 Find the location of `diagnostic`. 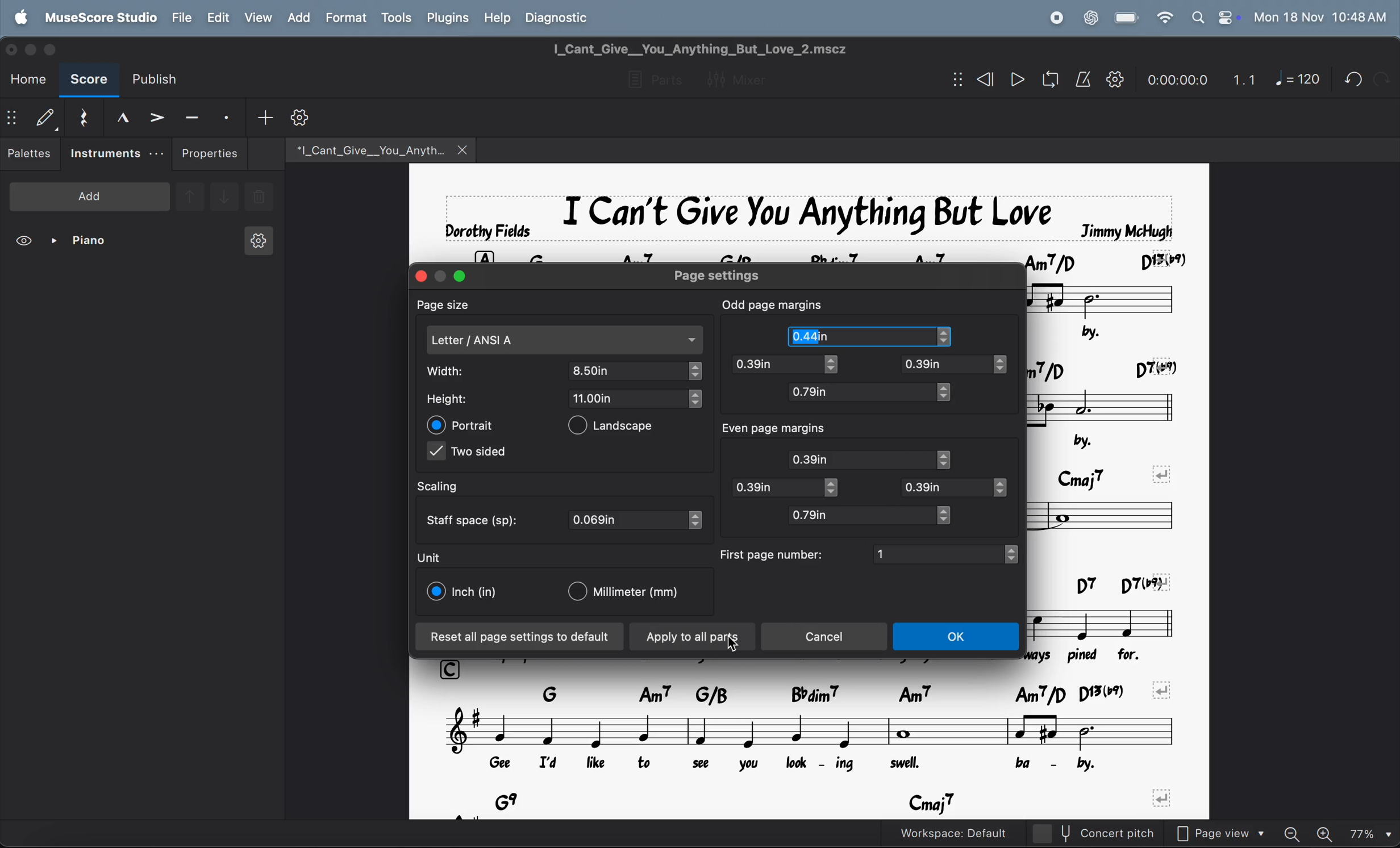

diagnostic is located at coordinates (563, 17).